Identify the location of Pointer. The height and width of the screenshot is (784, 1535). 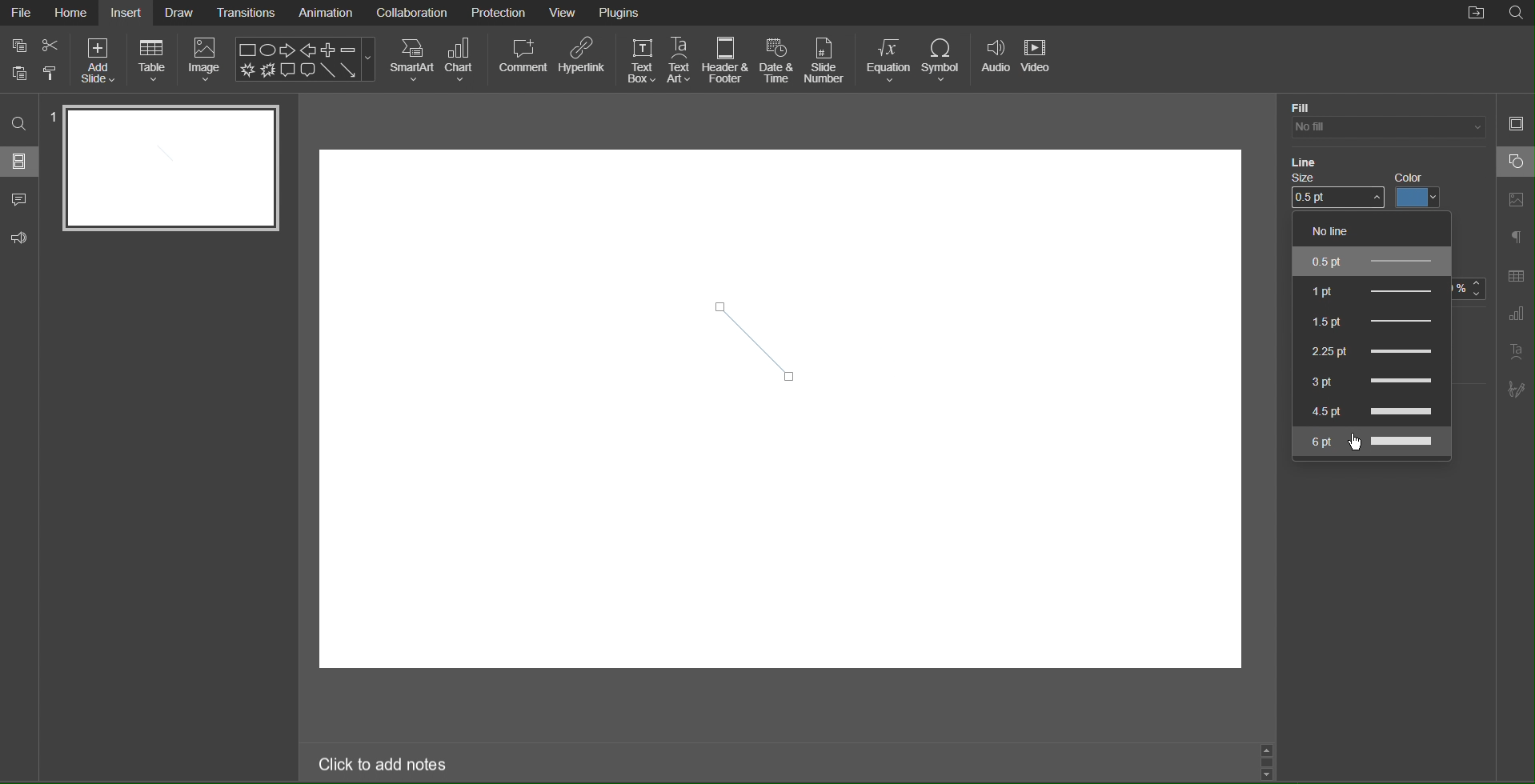
(1359, 451).